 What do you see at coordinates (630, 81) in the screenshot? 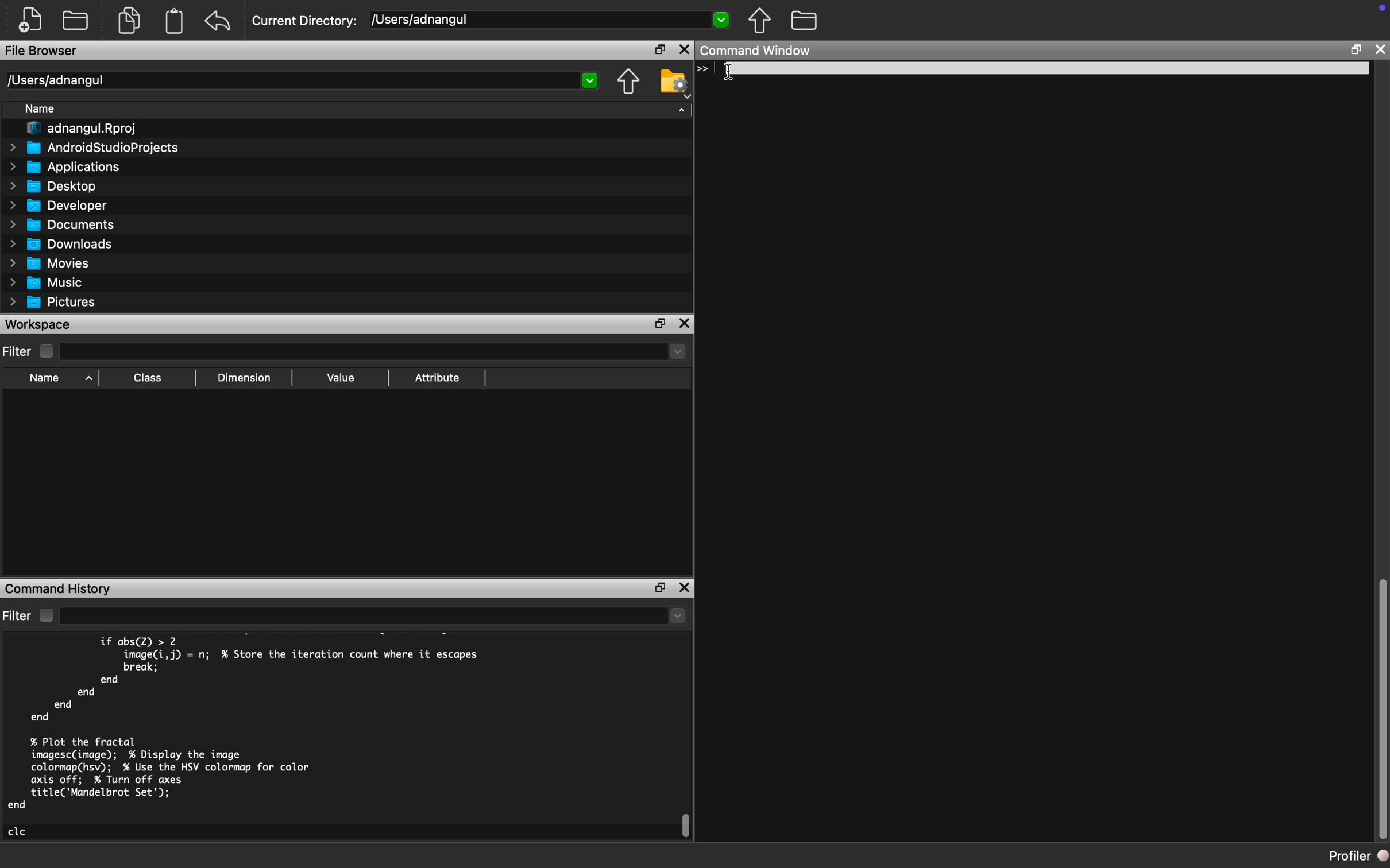
I see `Parent Directory` at bounding box center [630, 81].